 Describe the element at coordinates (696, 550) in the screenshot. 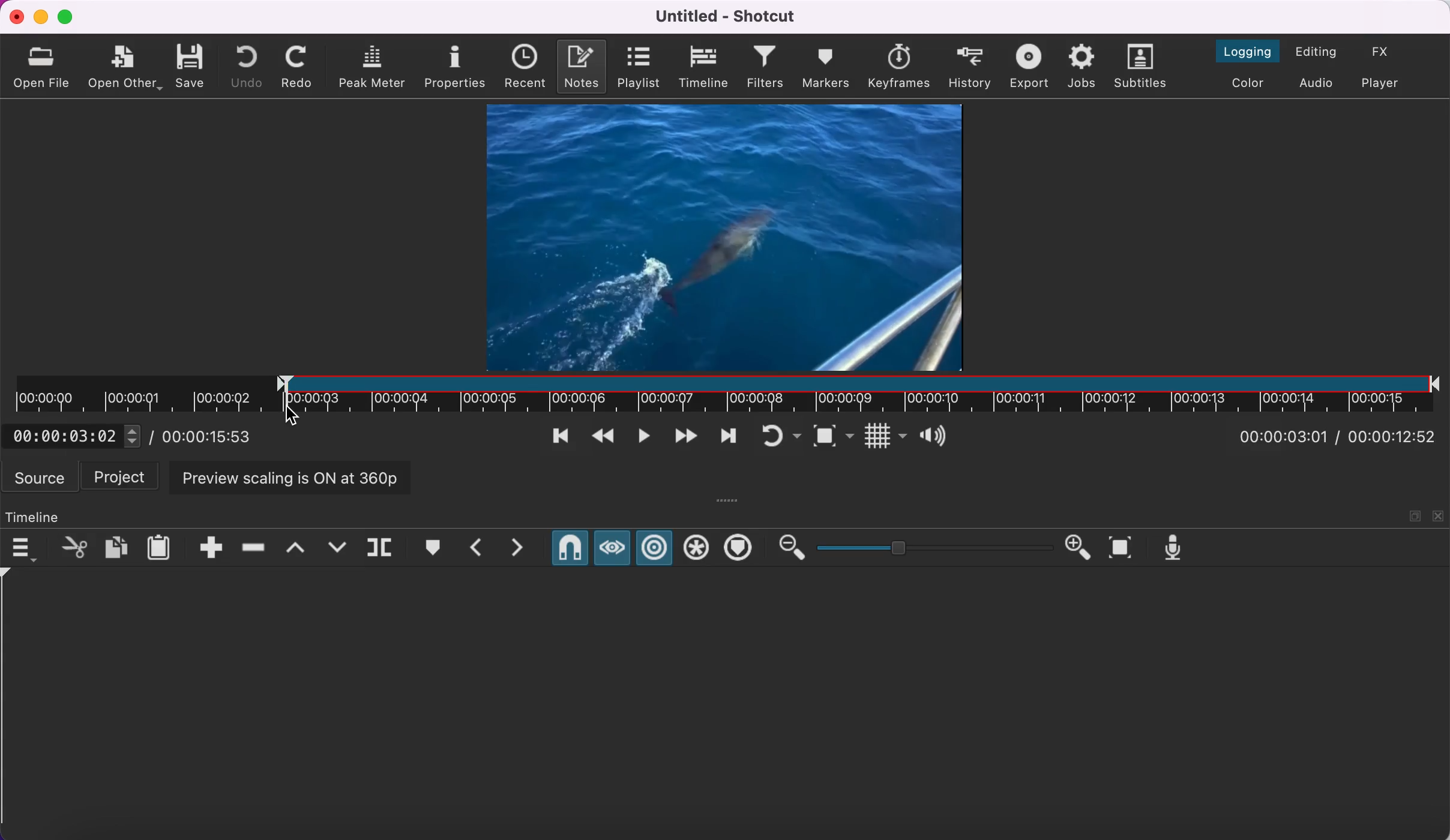

I see `ripple all tracks` at that location.